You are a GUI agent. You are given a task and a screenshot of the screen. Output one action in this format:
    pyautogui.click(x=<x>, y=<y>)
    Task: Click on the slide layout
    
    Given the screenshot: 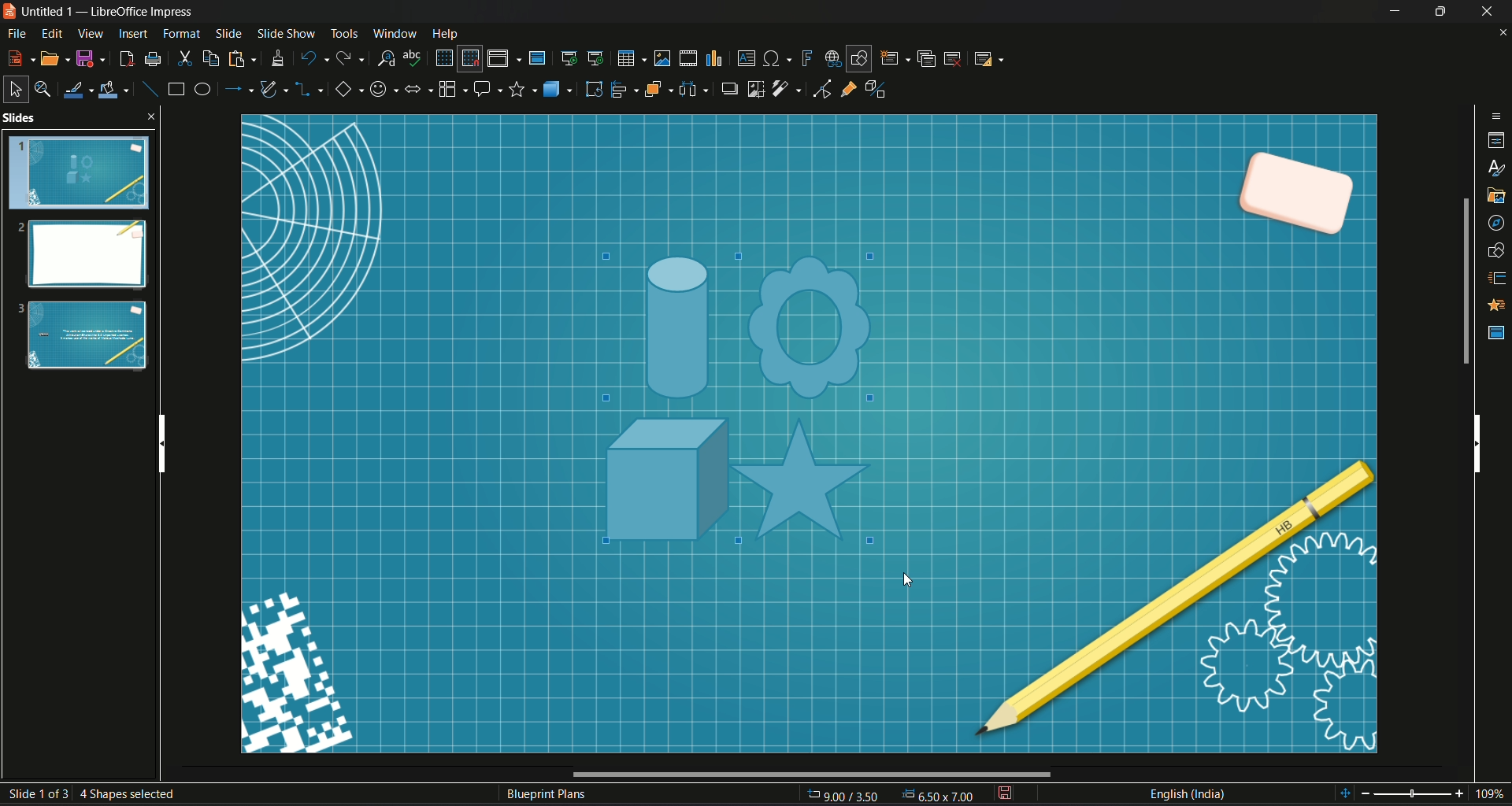 What is the action you would take?
    pyautogui.click(x=987, y=58)
    